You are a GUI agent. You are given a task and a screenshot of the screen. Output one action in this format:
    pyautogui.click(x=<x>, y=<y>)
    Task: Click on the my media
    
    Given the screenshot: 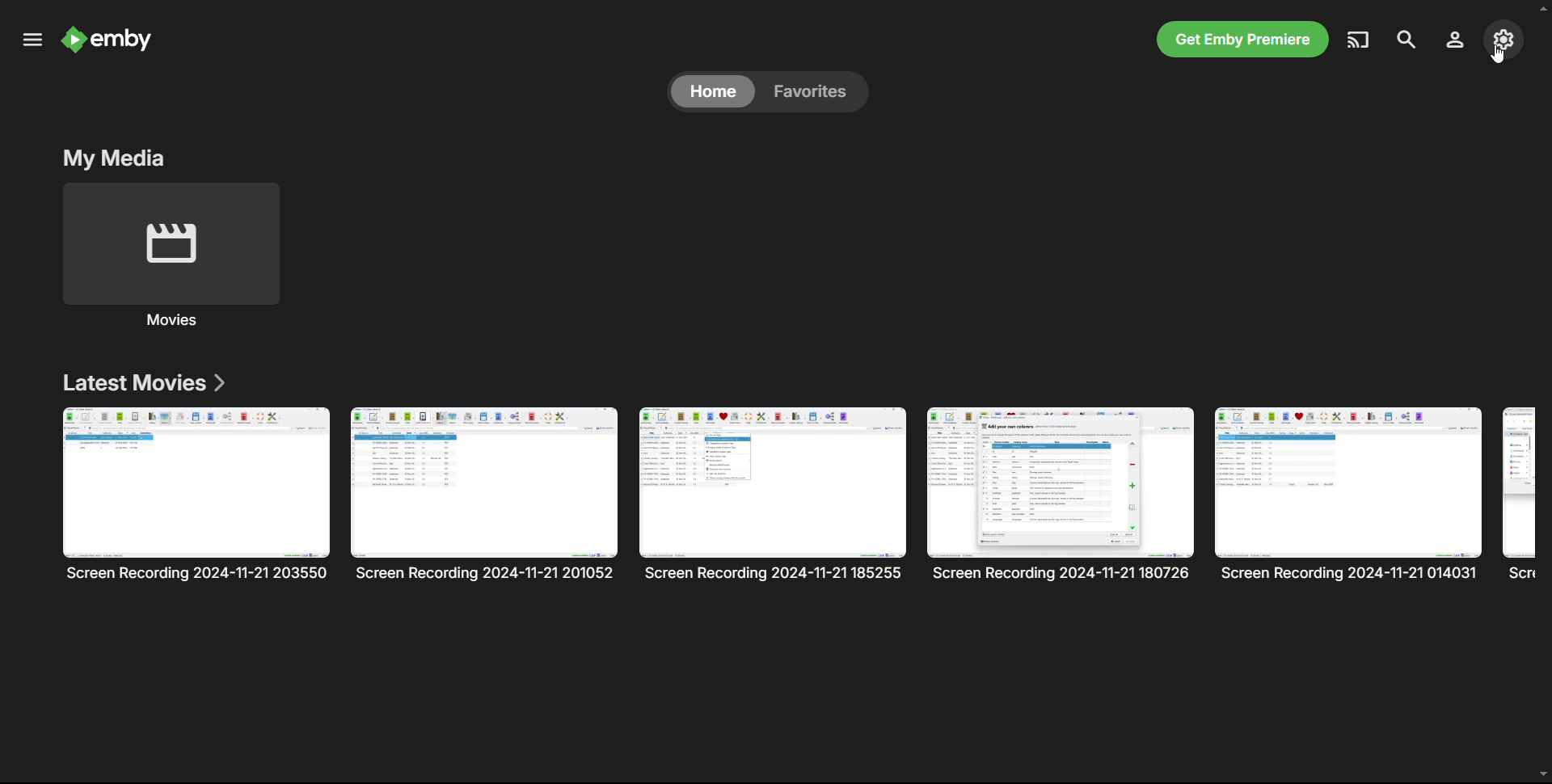 What is the action you would take?
    pyautogui.click(x=116, y=156)
    